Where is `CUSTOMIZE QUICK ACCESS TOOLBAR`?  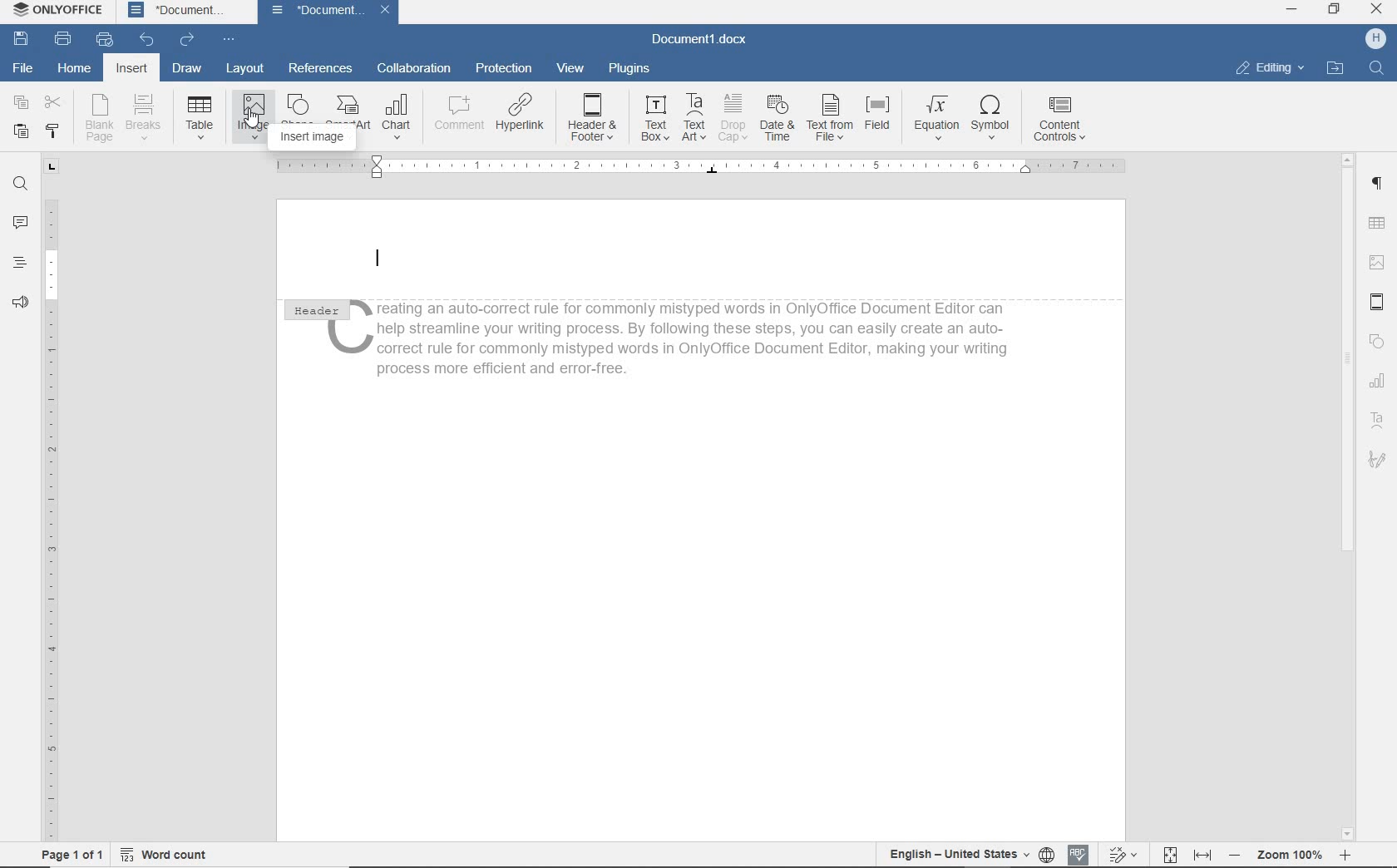
CUSTOMIZE QUICK ACCESS TOOLBAR is located at coordinates (225, 38).